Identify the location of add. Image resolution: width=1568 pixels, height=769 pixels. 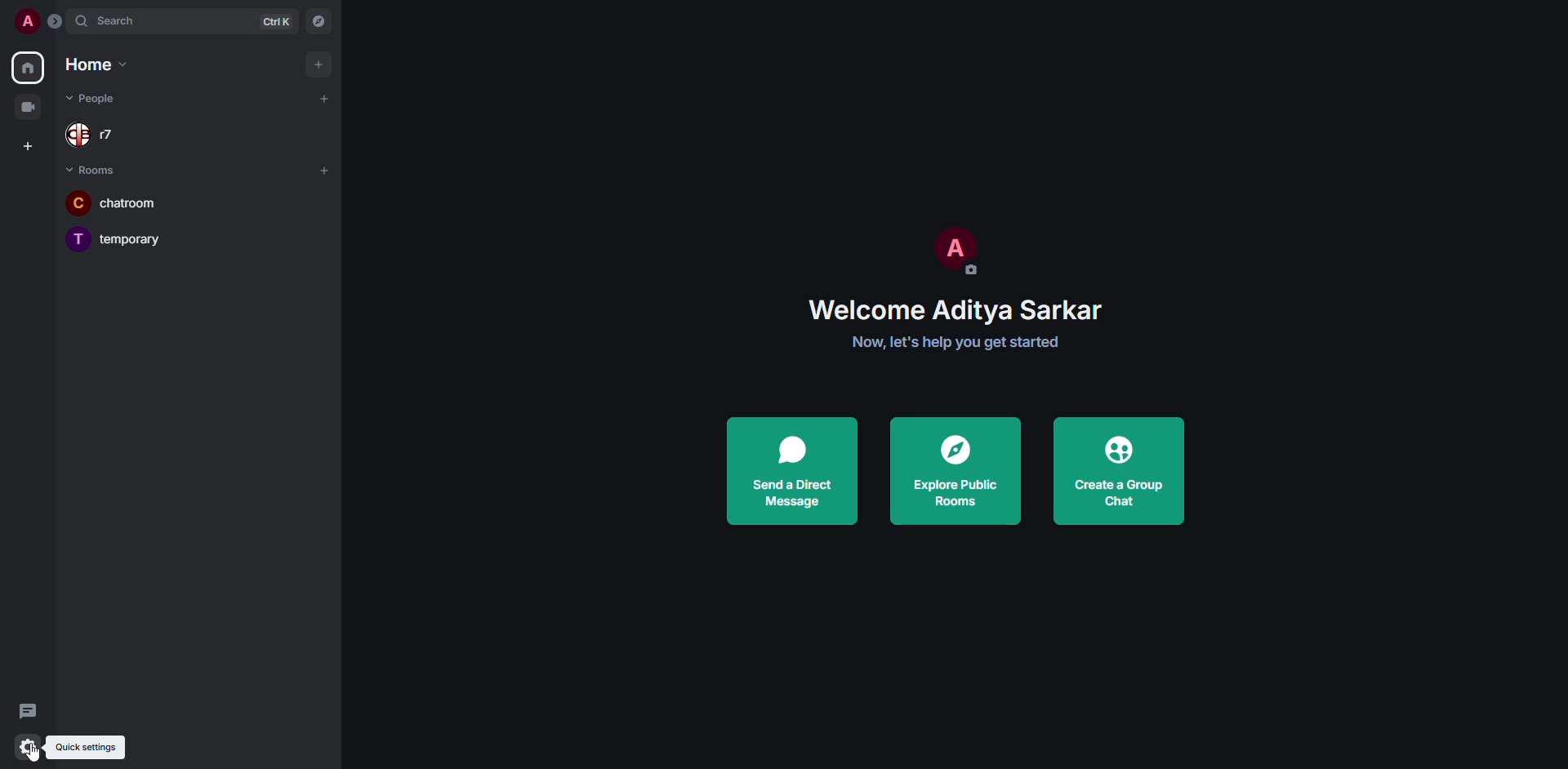
(327, 172).